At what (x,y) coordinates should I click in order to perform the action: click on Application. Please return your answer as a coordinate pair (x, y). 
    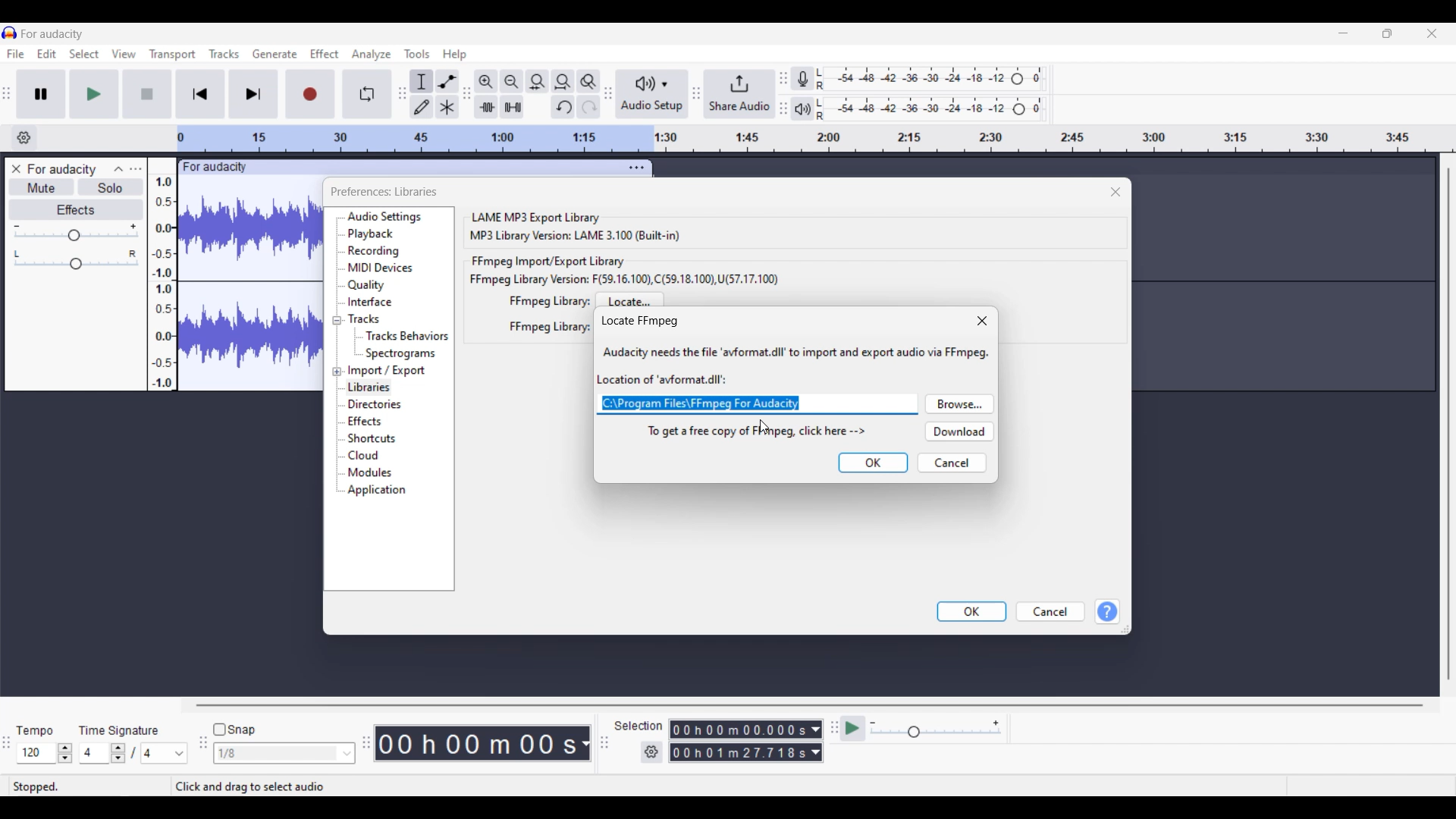
    Looking at the image, I should click on (377, 491).